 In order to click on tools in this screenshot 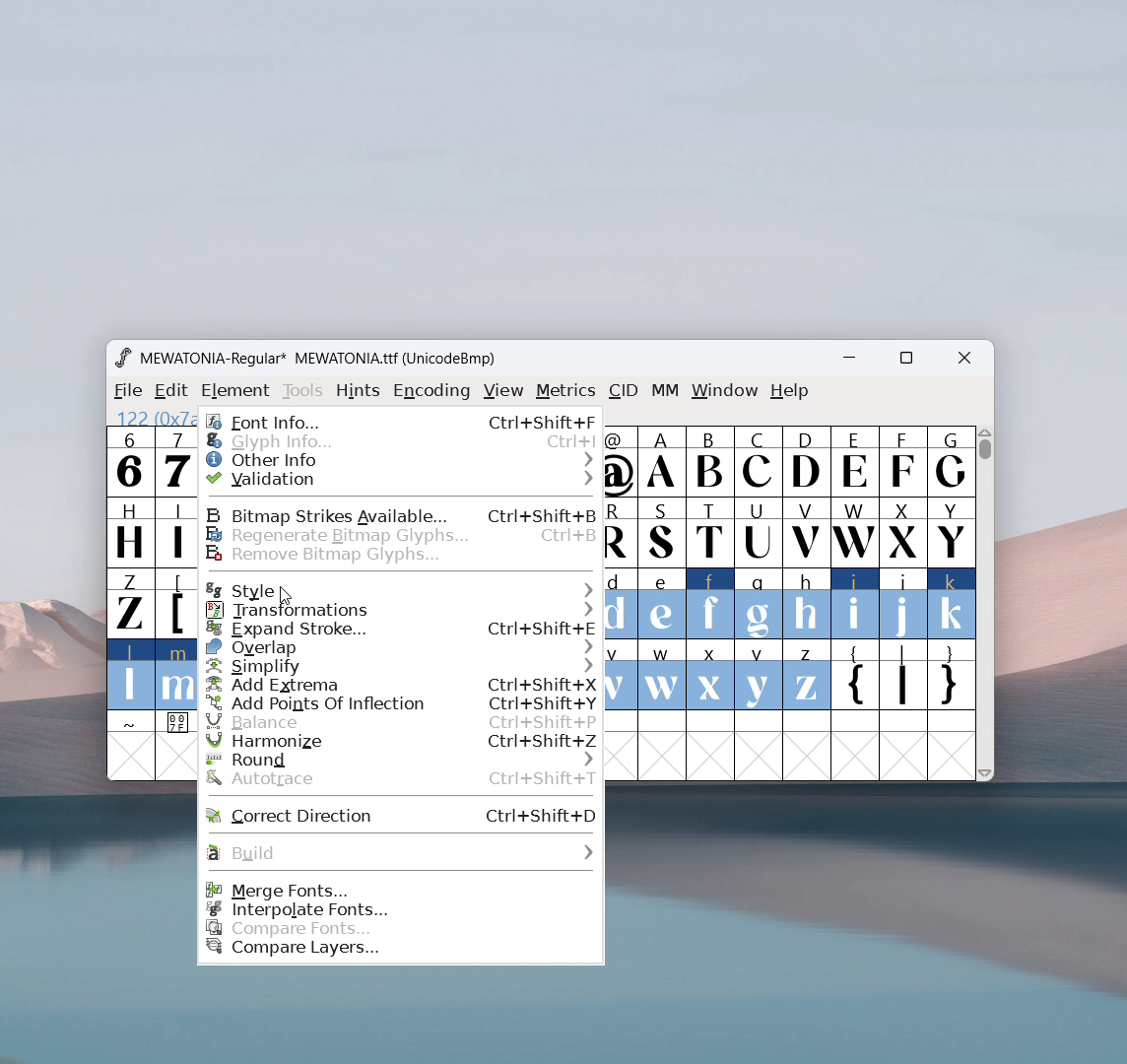, I will do `click(303, 391)`.